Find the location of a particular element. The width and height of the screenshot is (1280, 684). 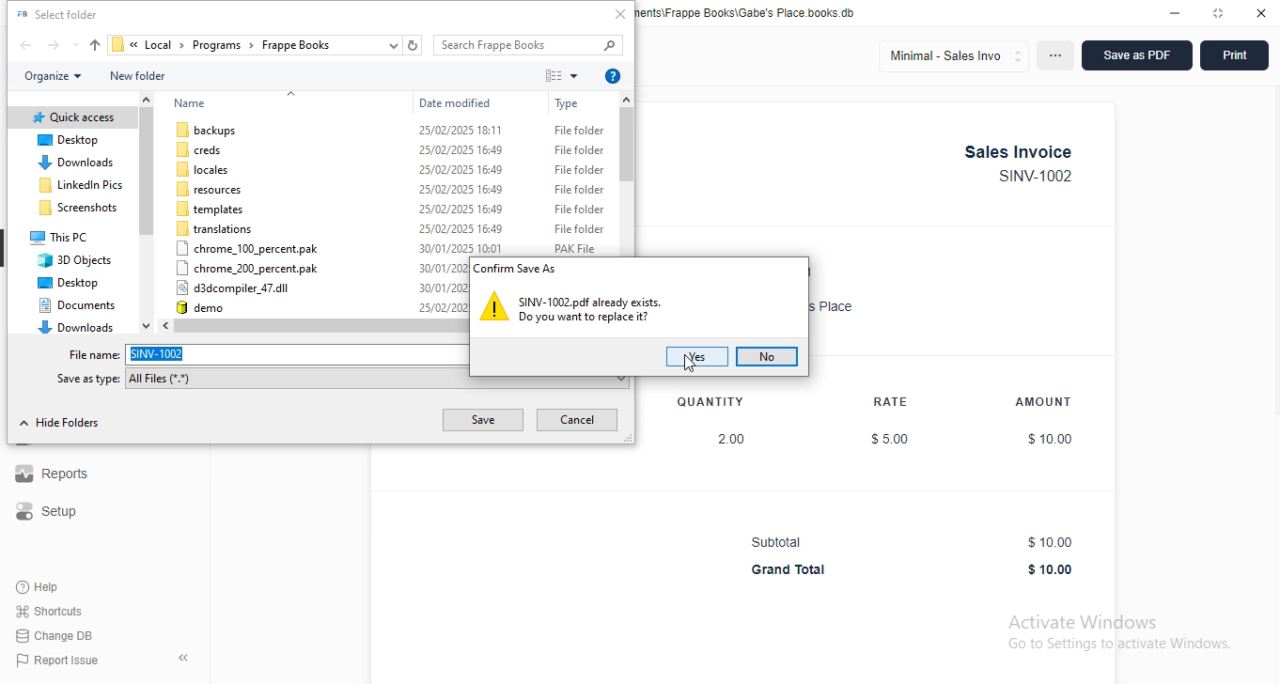

creds is located at coordinates (197, 149).